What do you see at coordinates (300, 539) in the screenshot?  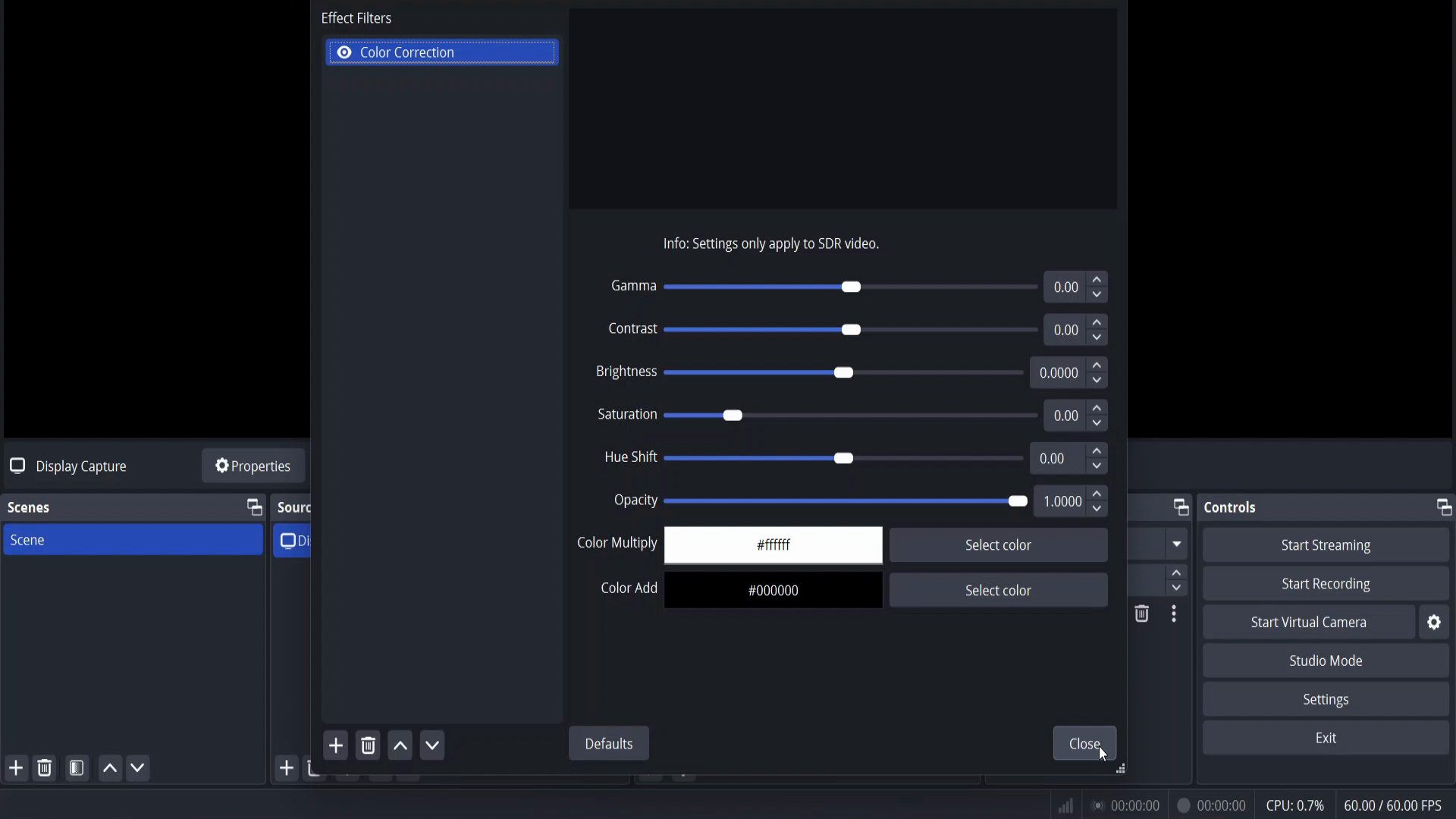 I see `display capture` at bounding box center [300, 539].